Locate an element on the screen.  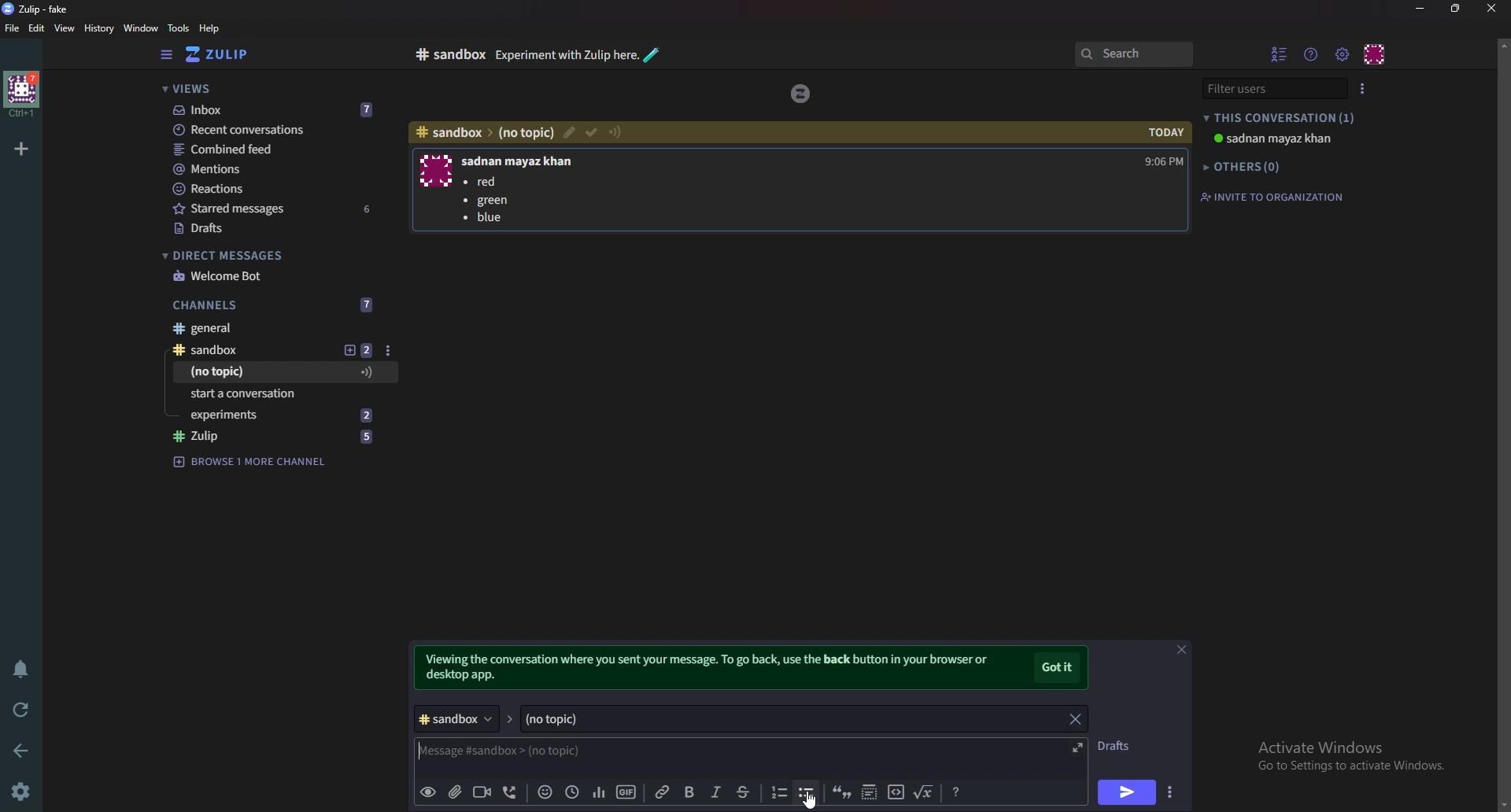
personal menu is located at coordinates (1376, 54).